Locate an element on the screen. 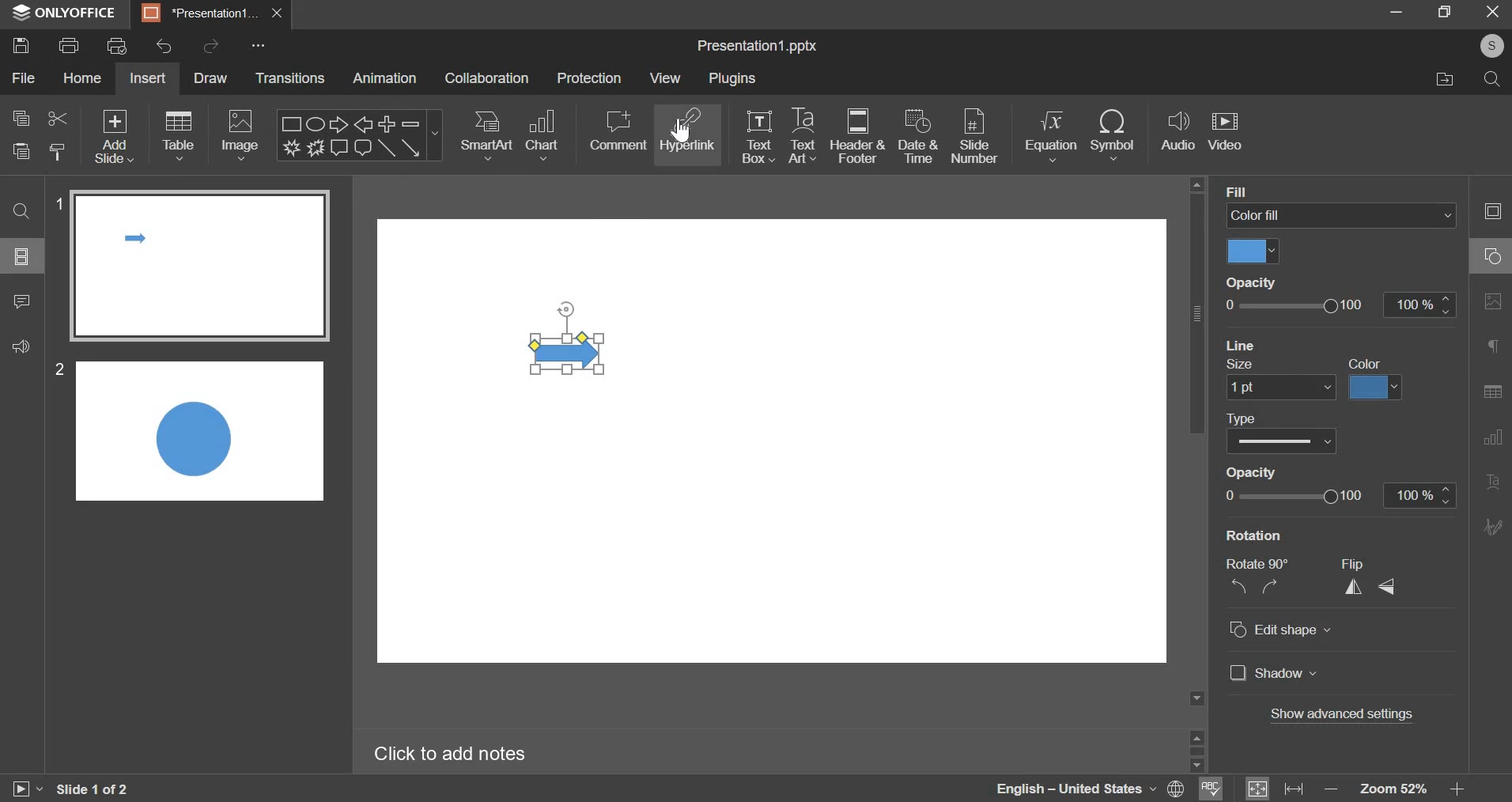 Image resolution: width=1512 pixels, height=802 pixels. comment is located at coordinates (619, 131).